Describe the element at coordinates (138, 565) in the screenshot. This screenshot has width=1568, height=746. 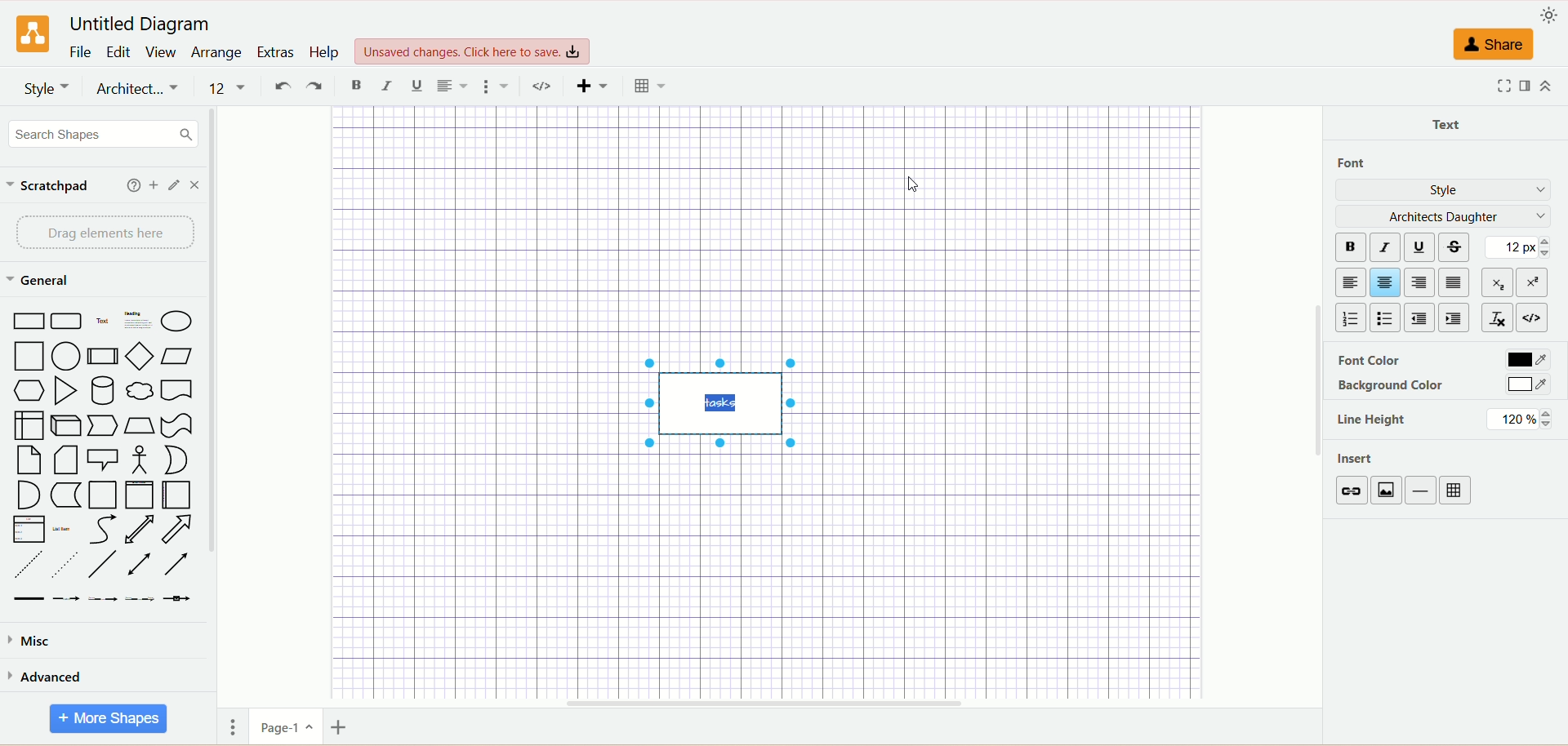
I see `Line with Double Arrows` at that location.